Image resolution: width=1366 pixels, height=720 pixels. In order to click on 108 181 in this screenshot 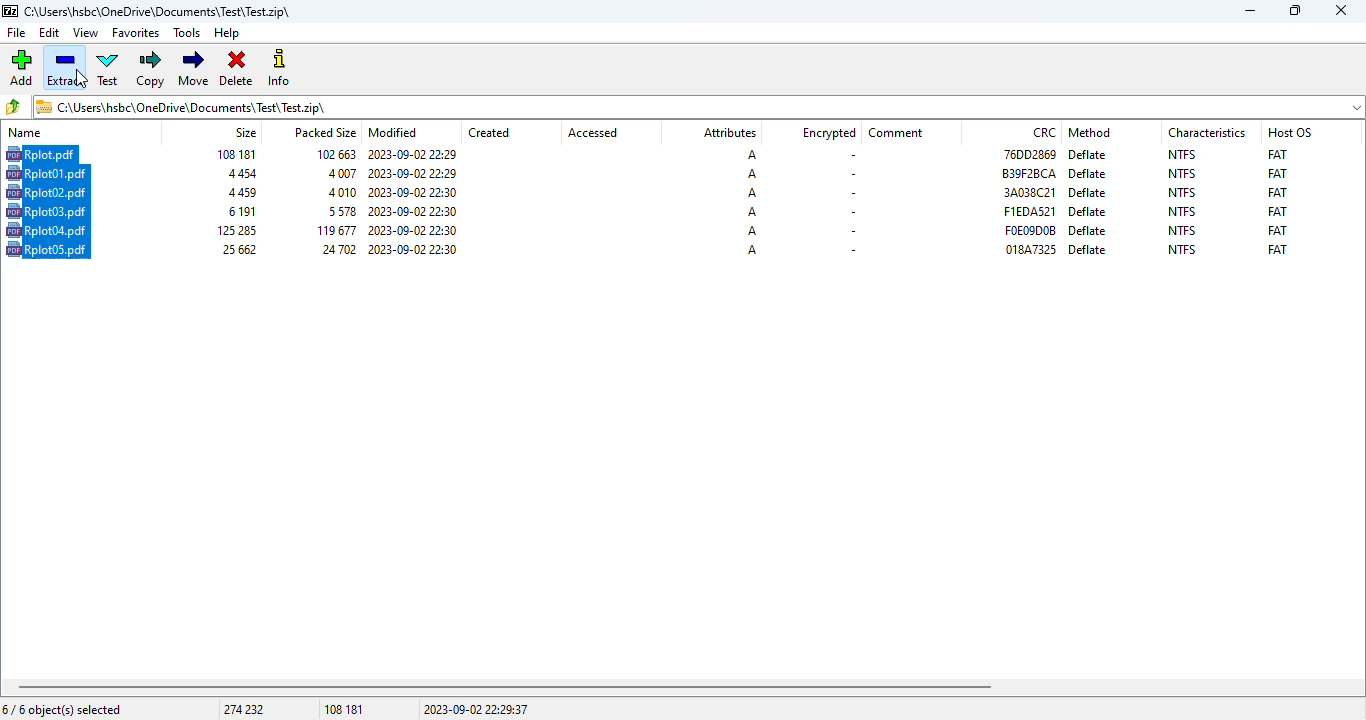, I will do `click(344, 710)`.